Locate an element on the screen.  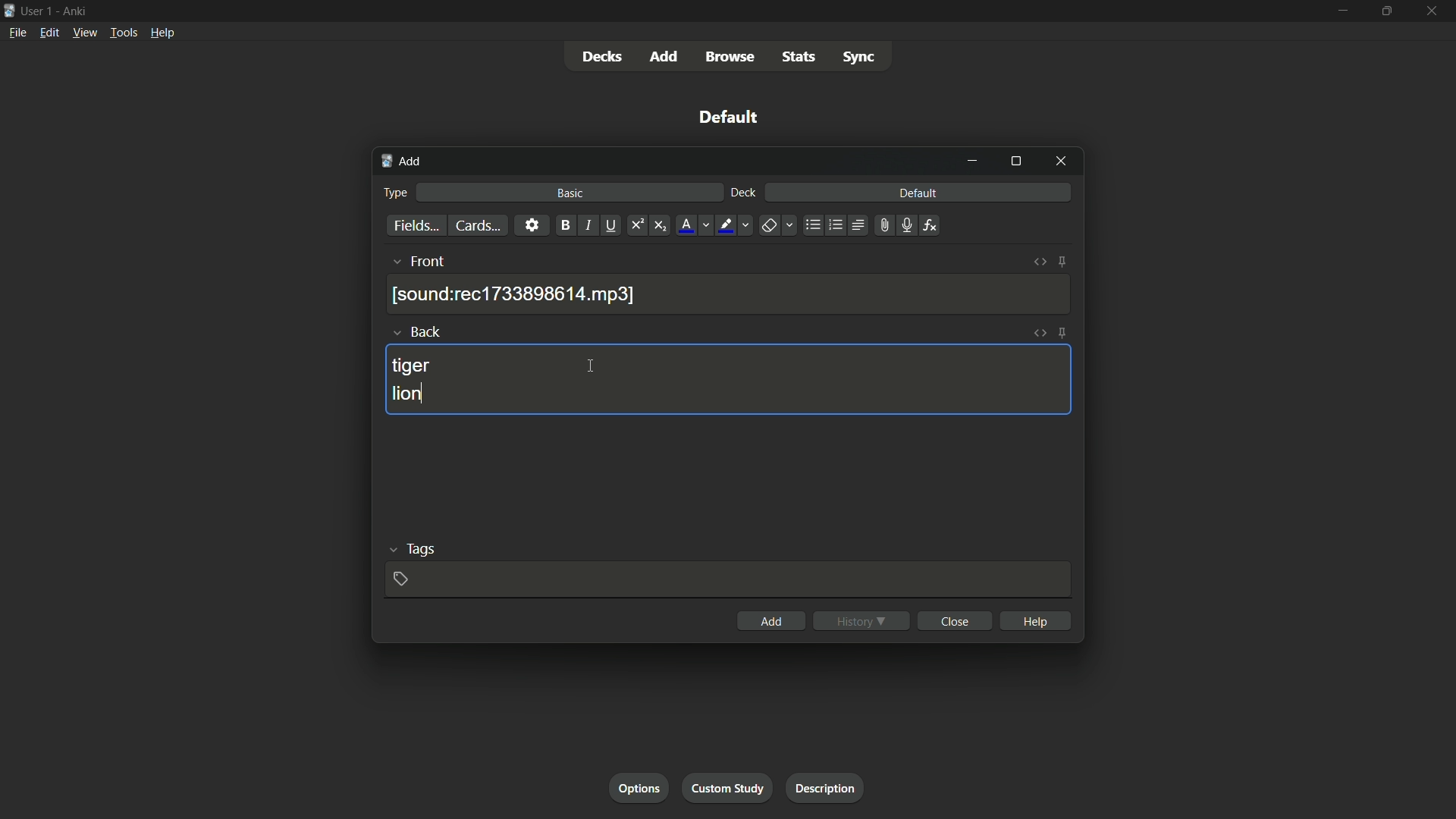
record audio is located at coordinates (903, 226).